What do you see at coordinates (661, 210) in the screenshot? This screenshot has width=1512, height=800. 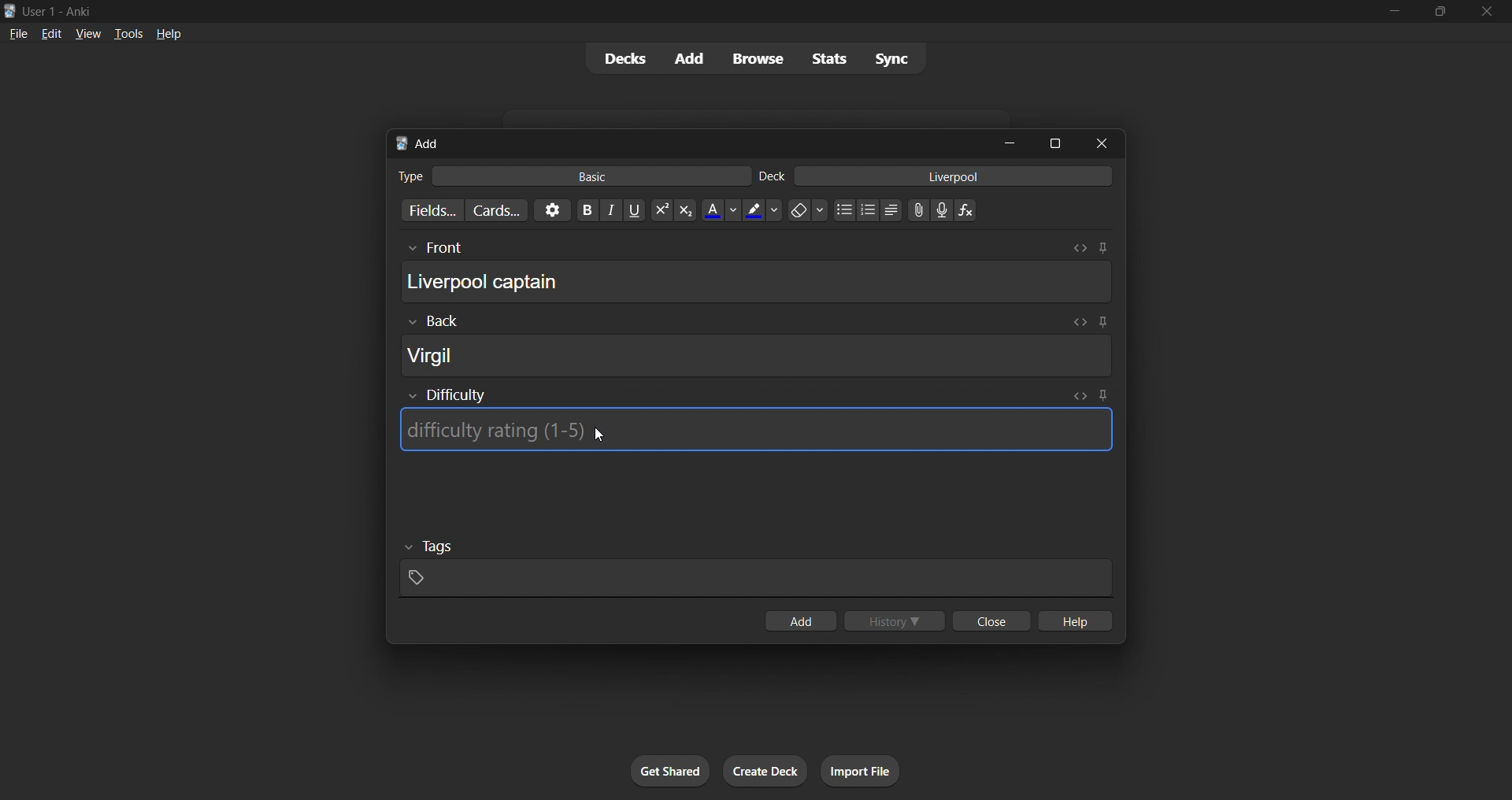 I see `Superscript` at bounding box center [661, 210].